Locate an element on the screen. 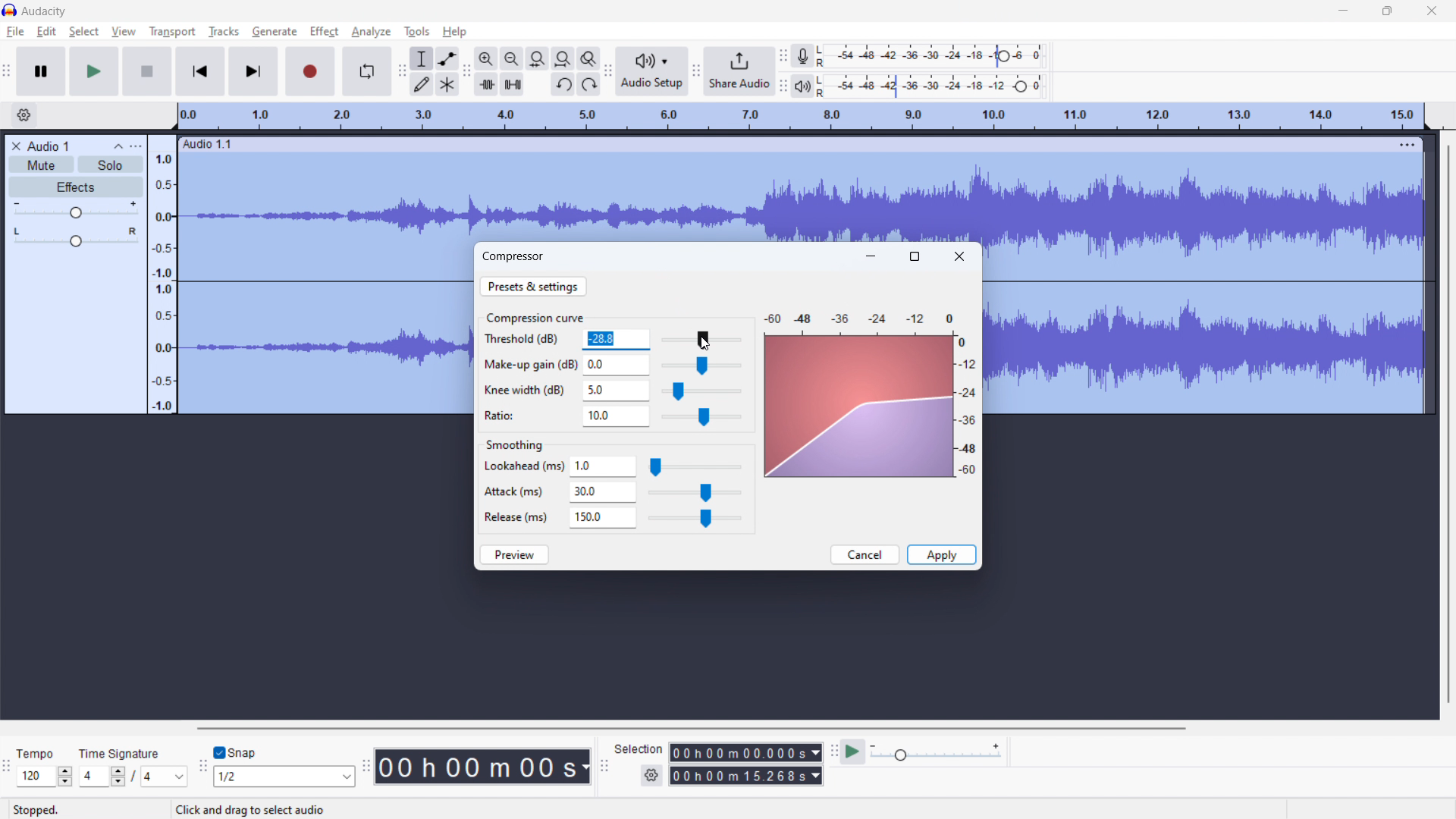 This screenshot has height=819, width=1456. share audio toolbar is located at coordinates (696, 71).